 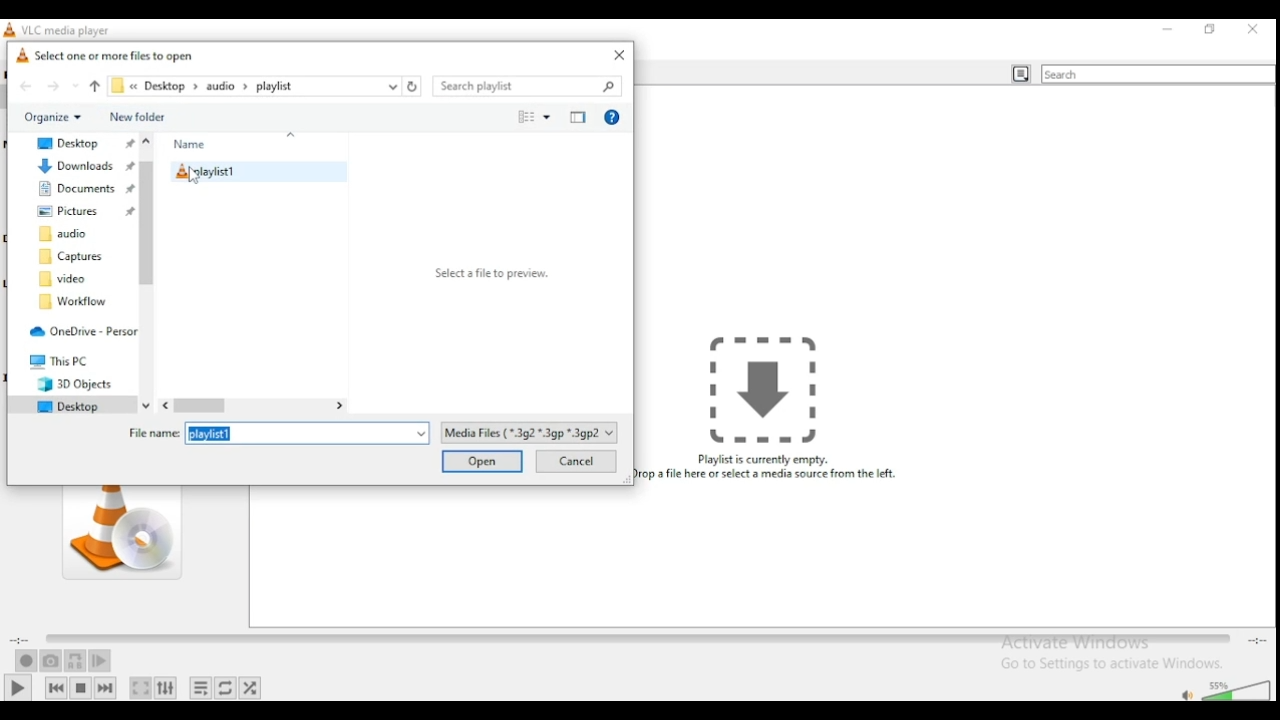 What do you see at coordinates (276, 87) in the screenshot?
I see `playlist` at bounding box center [276, 87].